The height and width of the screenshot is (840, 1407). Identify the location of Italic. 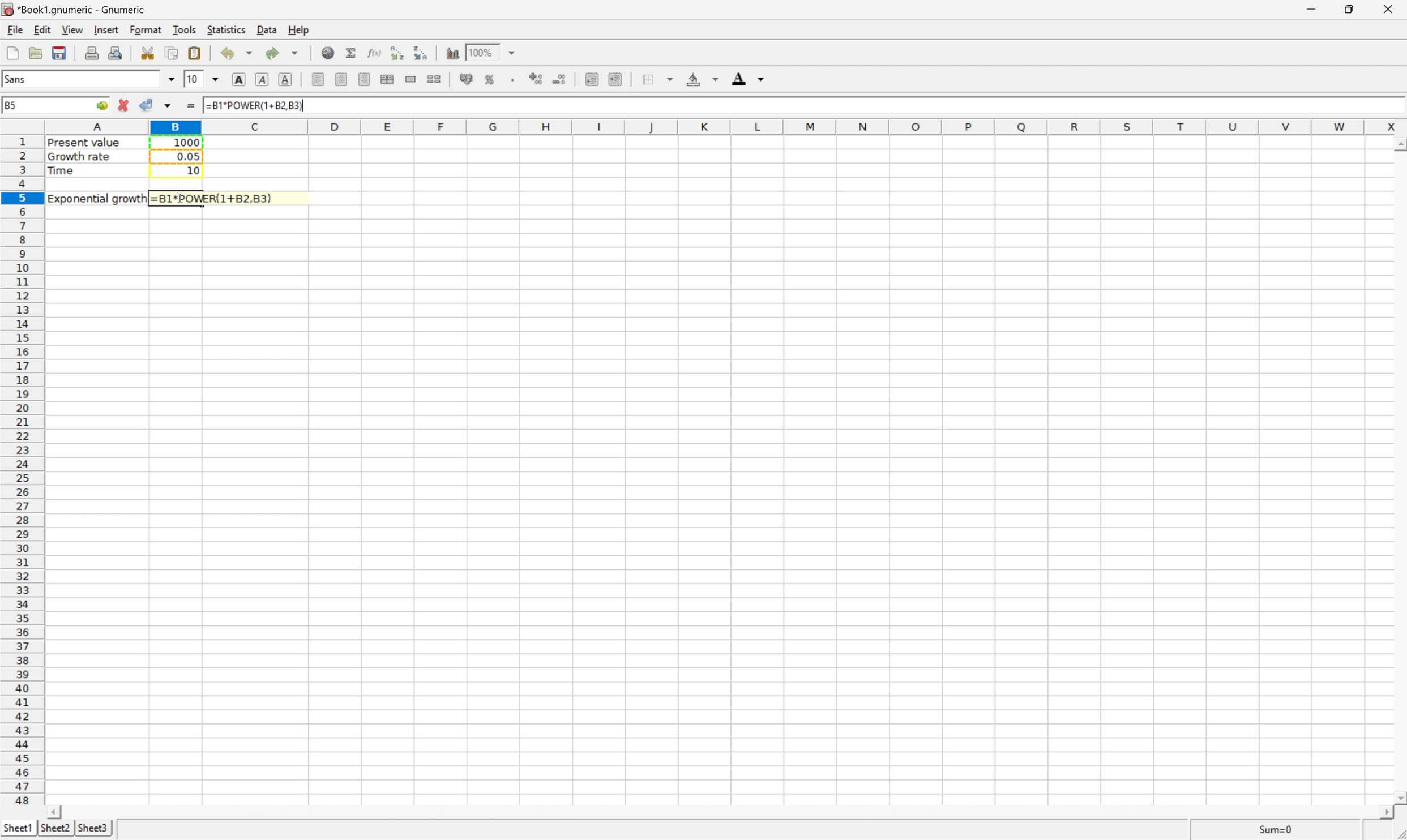
(261, 79).